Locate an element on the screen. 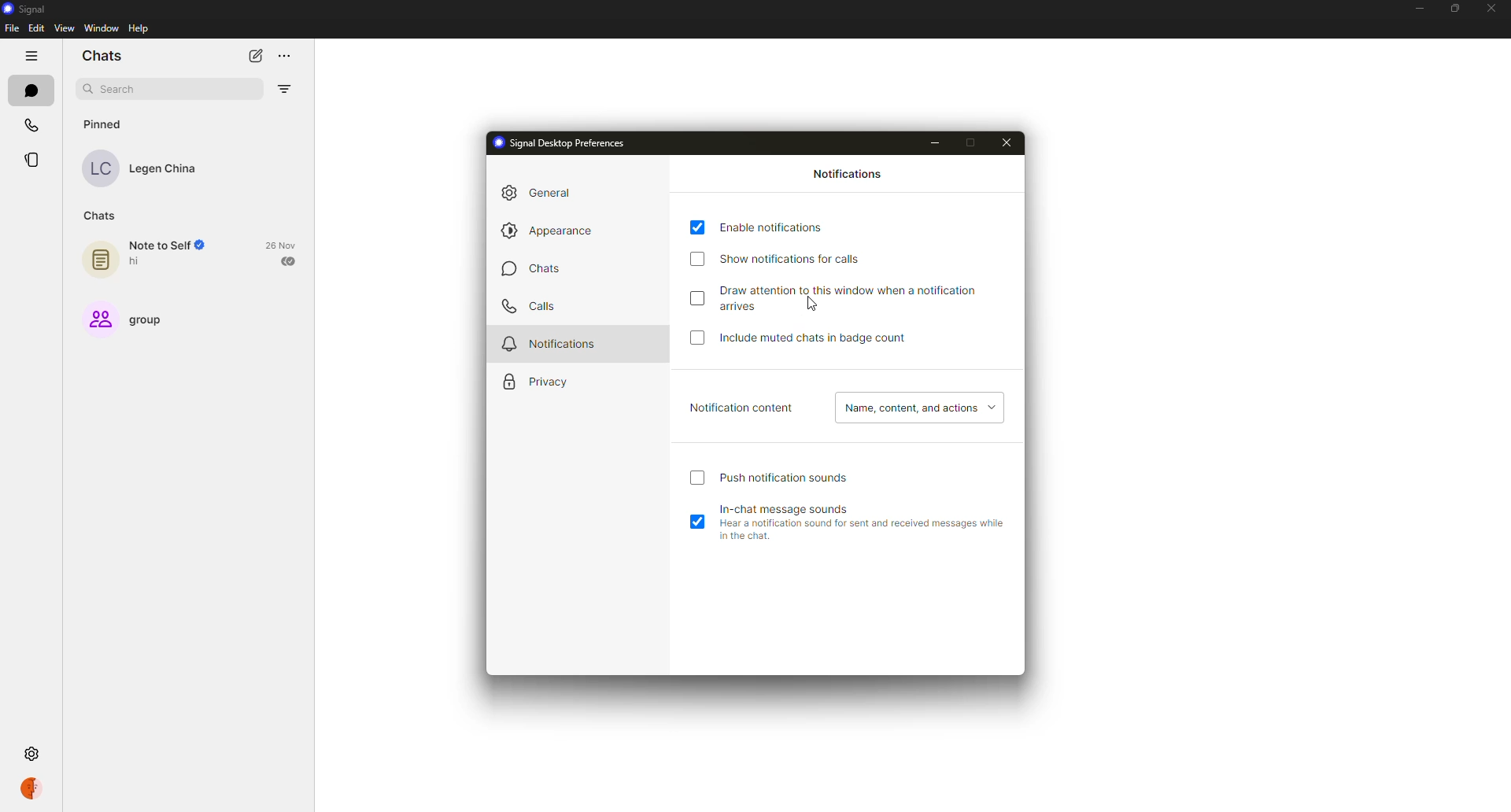  enable notifications is located at coordinates (775, 227).